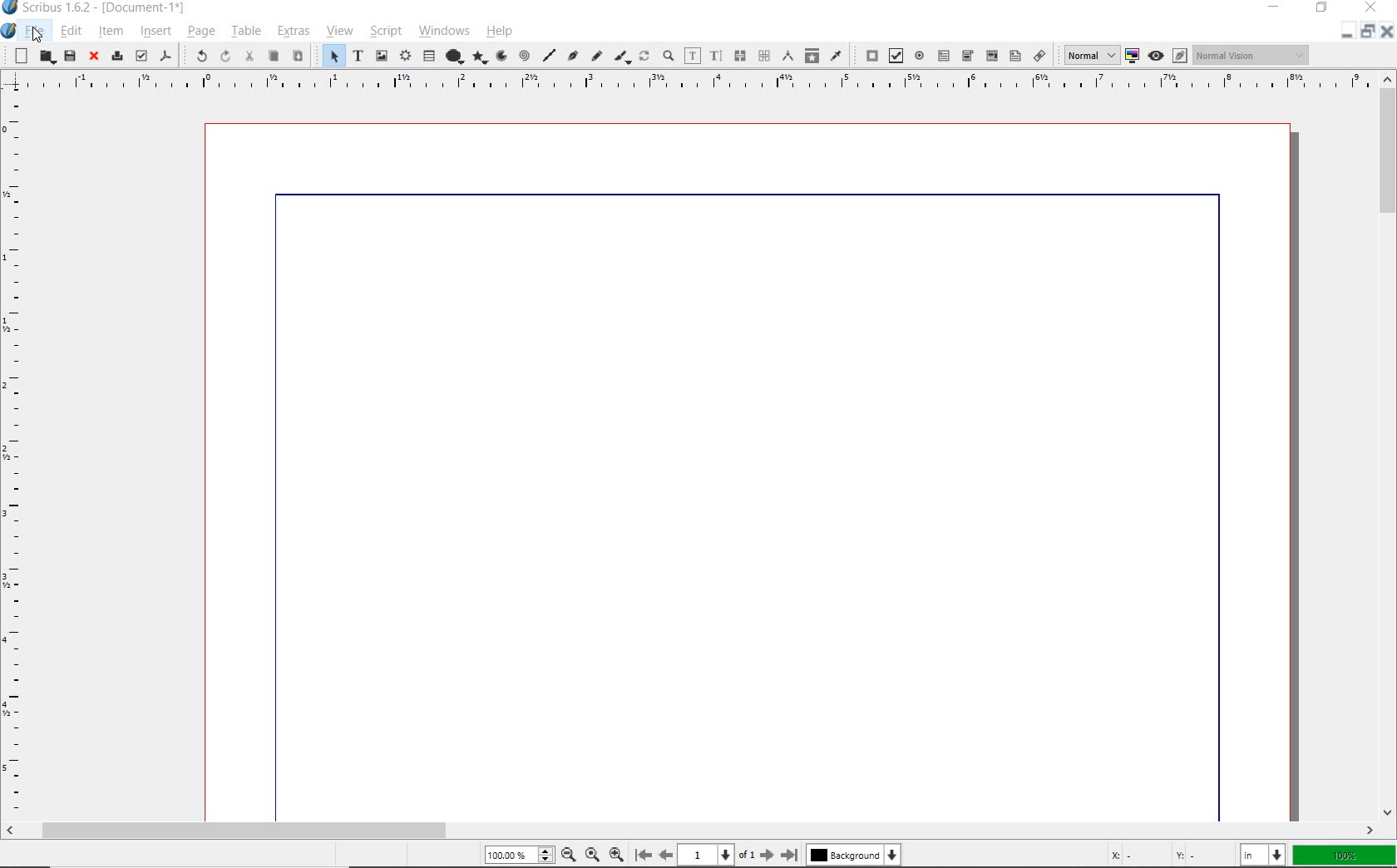 The height and width of the screenshot is (868, 1397). I want to click on pdf combo box, so click(990, 55).